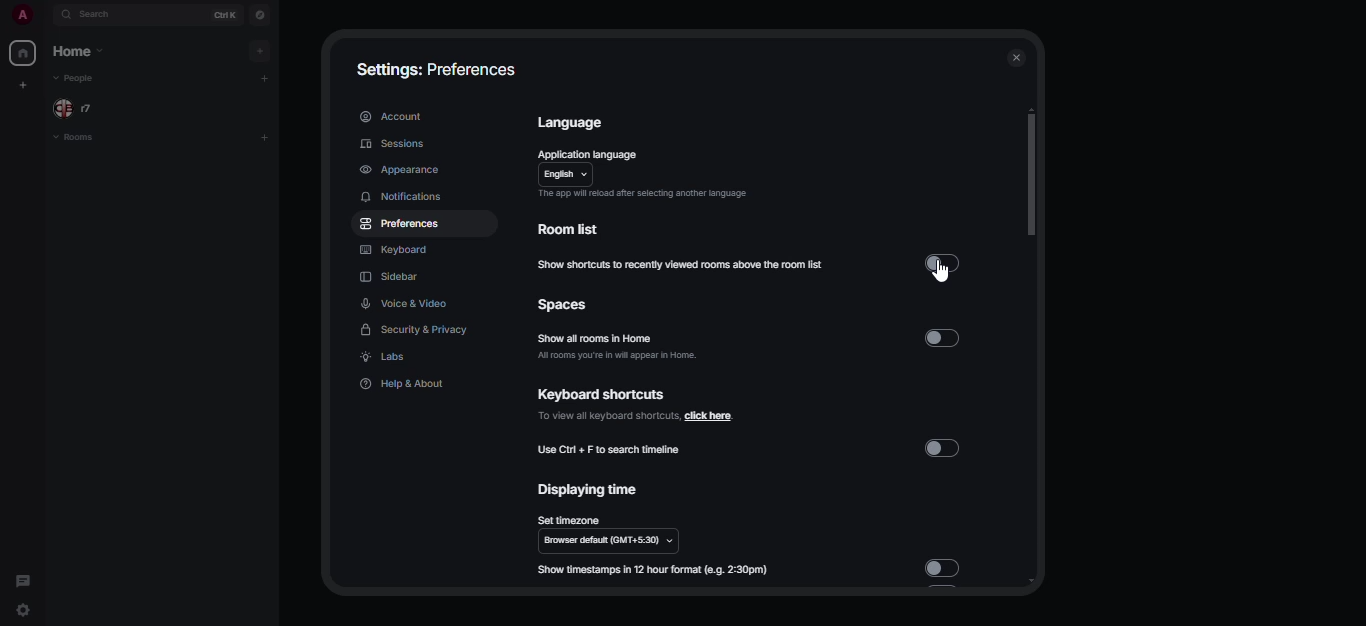 The height and width of the screenshot is (626, 1366). What do you see at coordinates (23, 51) in the screenshot?
I see `home` at bounding box center [23, 51].